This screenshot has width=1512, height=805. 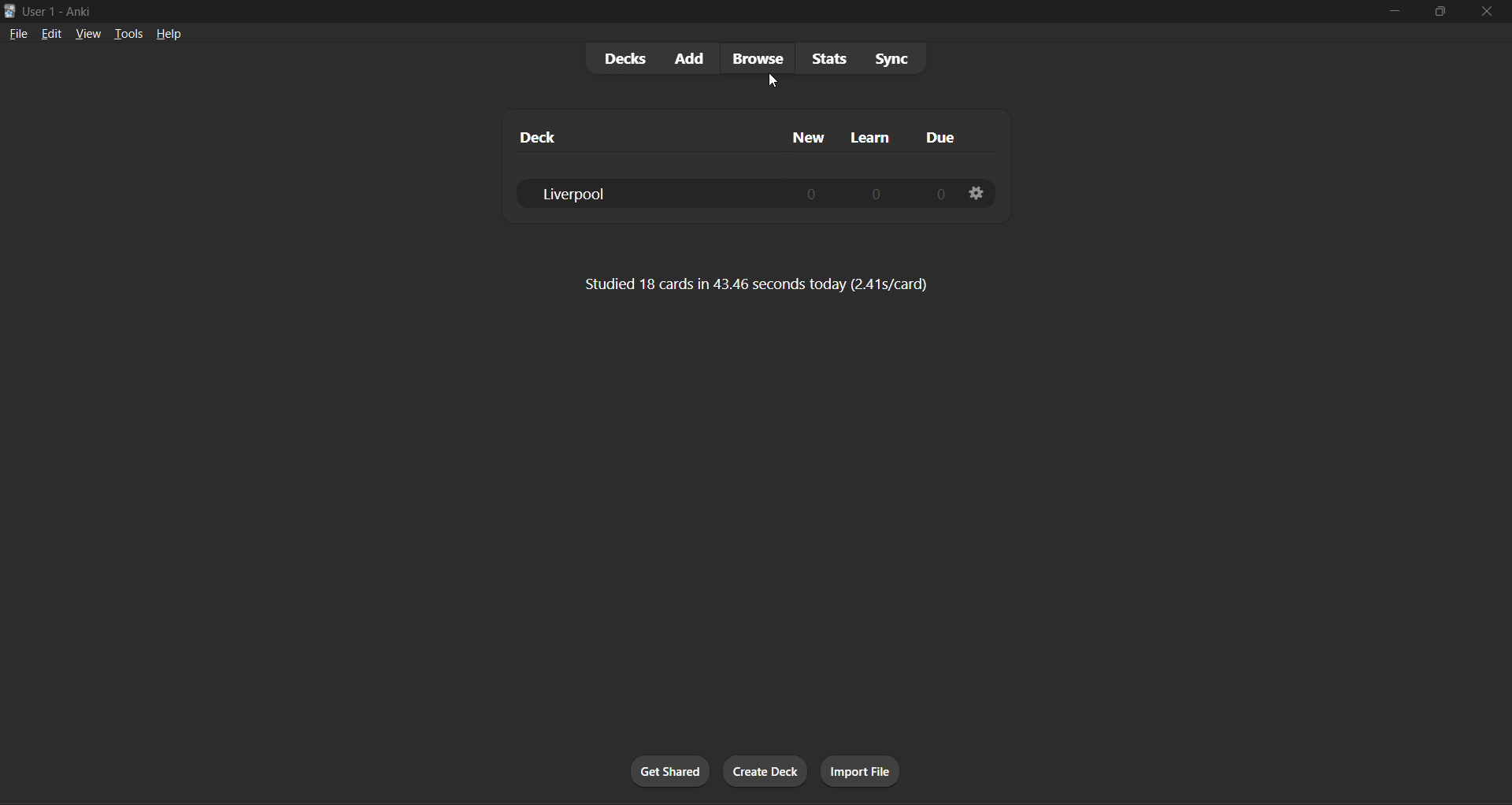 What do you see at coordinates (690, 57) in the screenshot?
I see `add` at bounding box center [690, 57].